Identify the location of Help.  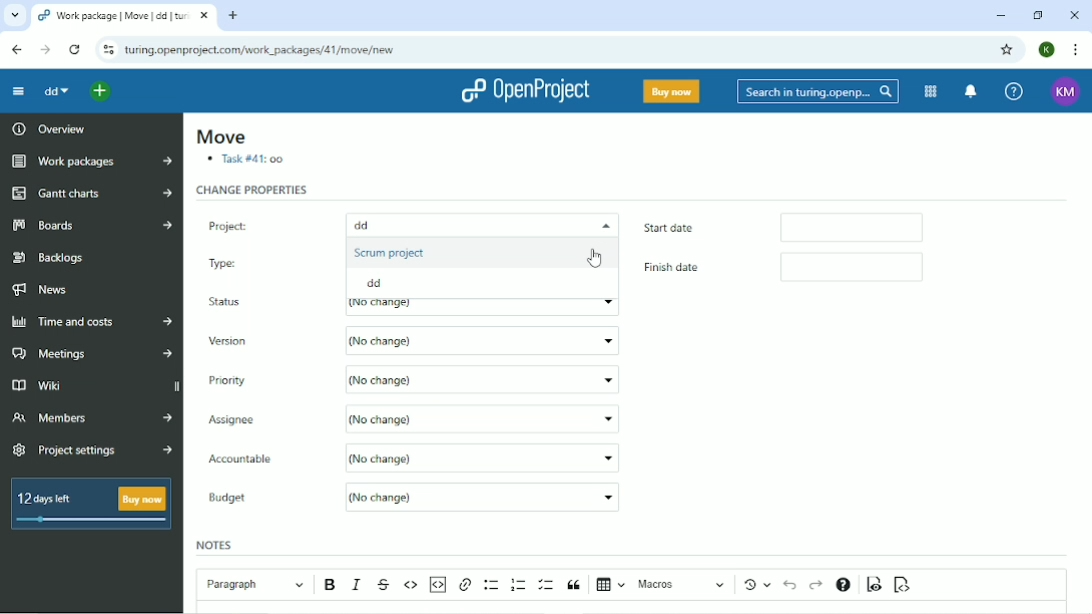
(1014, 90).